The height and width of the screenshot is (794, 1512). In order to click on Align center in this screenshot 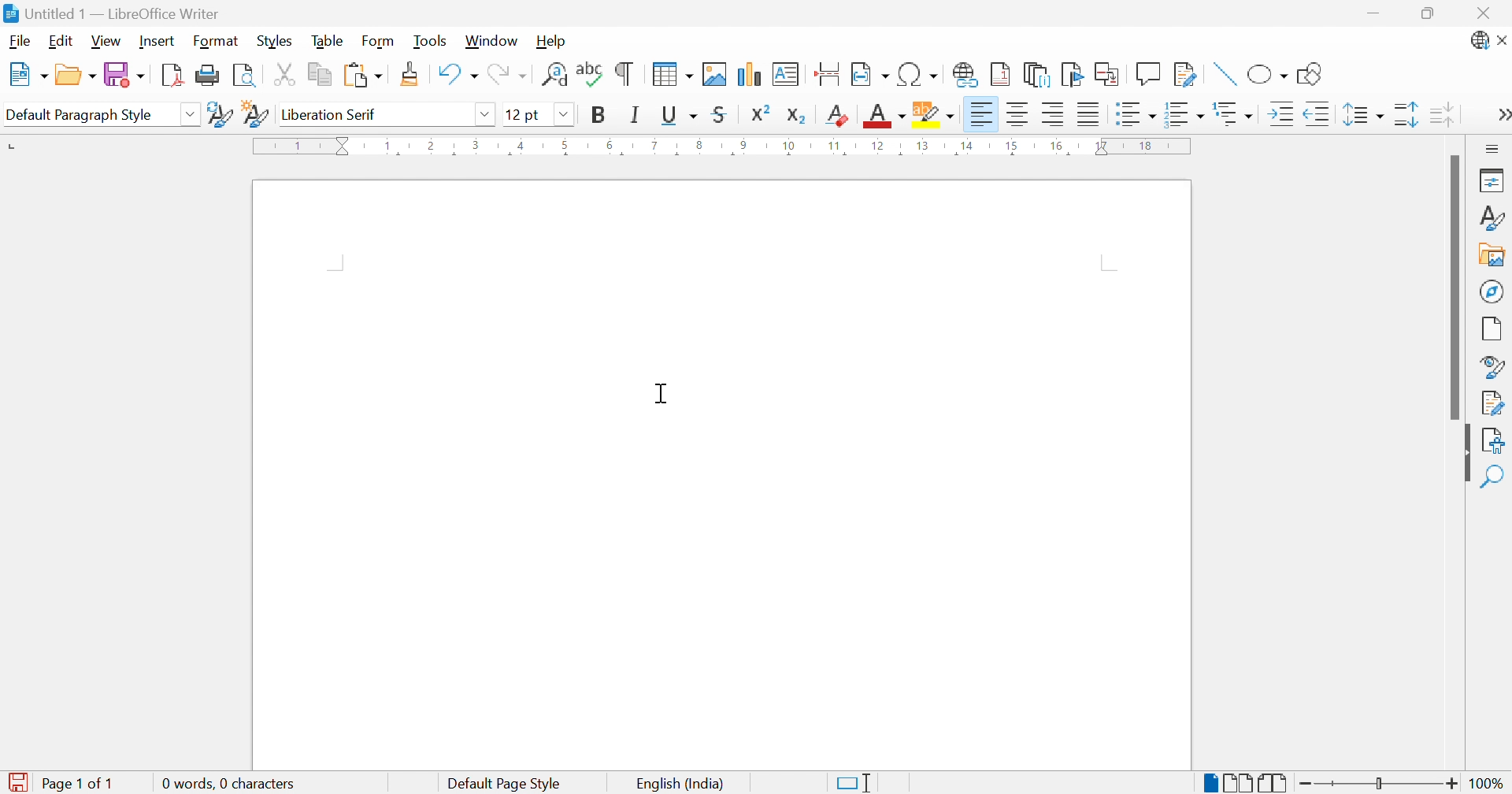, I will do `click(1020, 114)`.